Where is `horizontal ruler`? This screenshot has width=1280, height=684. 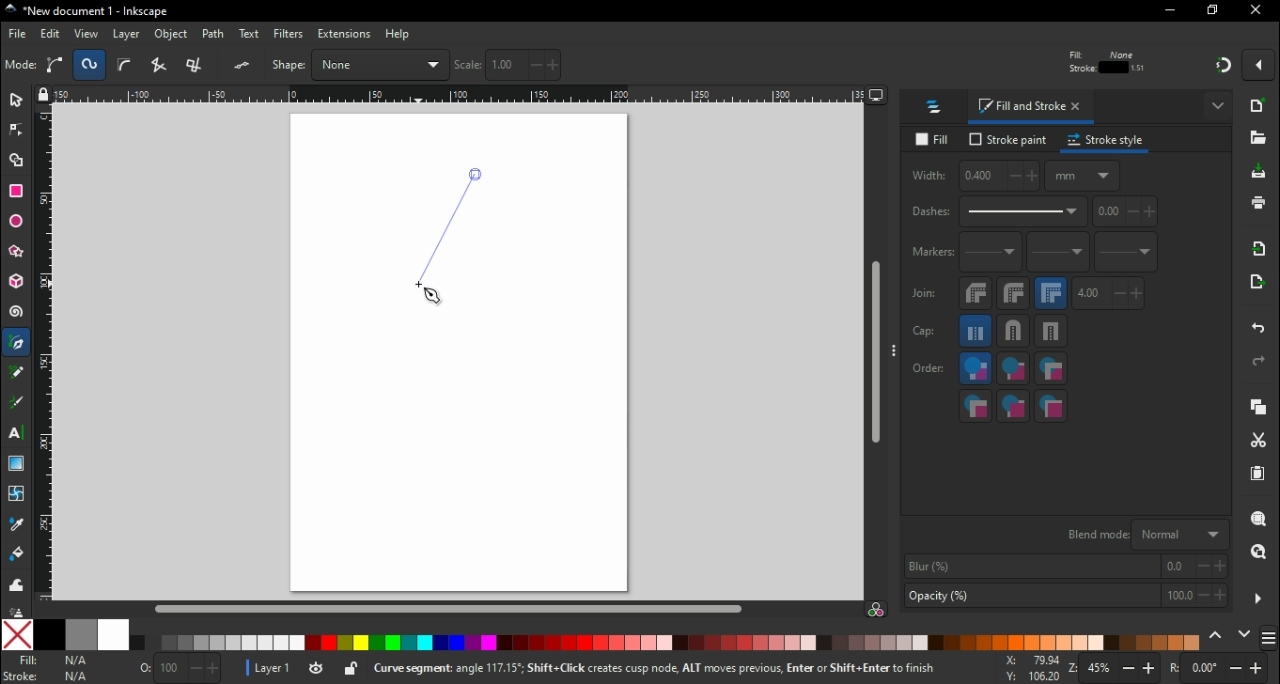 horizontal ruler is located at coordinates (461, 97).